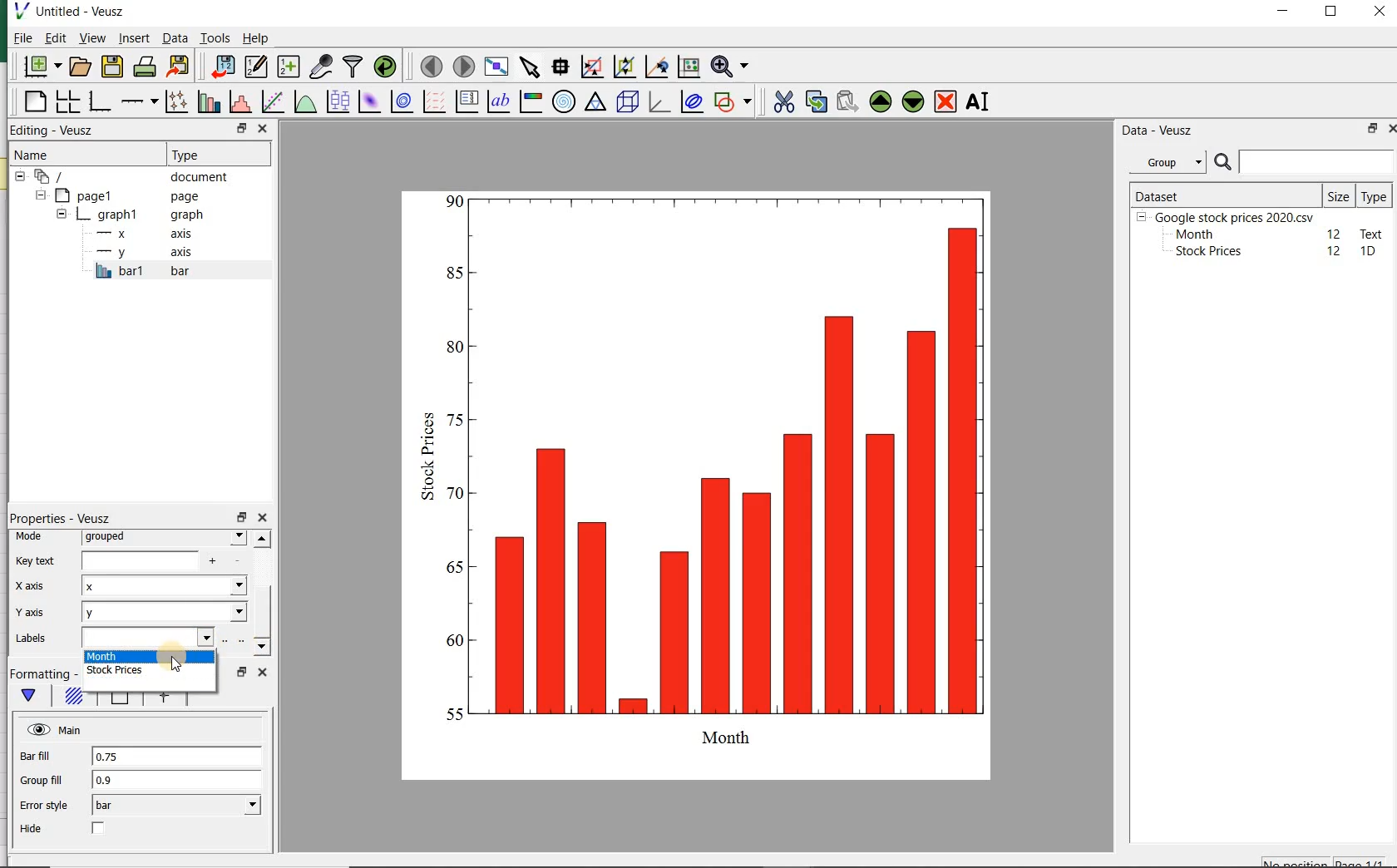 This screenshot has height=868, width=1397. I want to click on plot a 2d dataset as an image, so click(368, 101).